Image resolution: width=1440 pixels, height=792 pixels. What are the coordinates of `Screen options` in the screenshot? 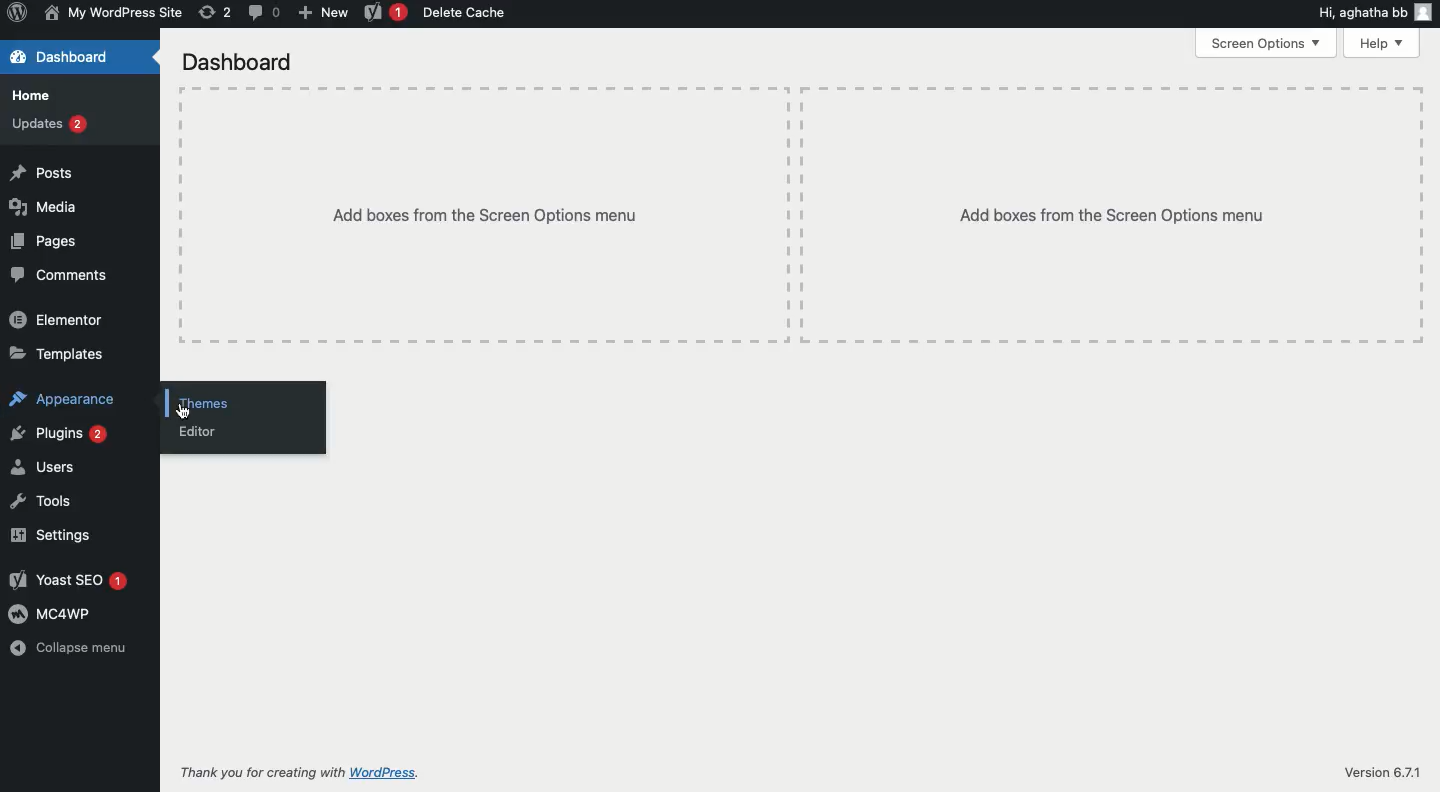 It's located at (1270, 44).